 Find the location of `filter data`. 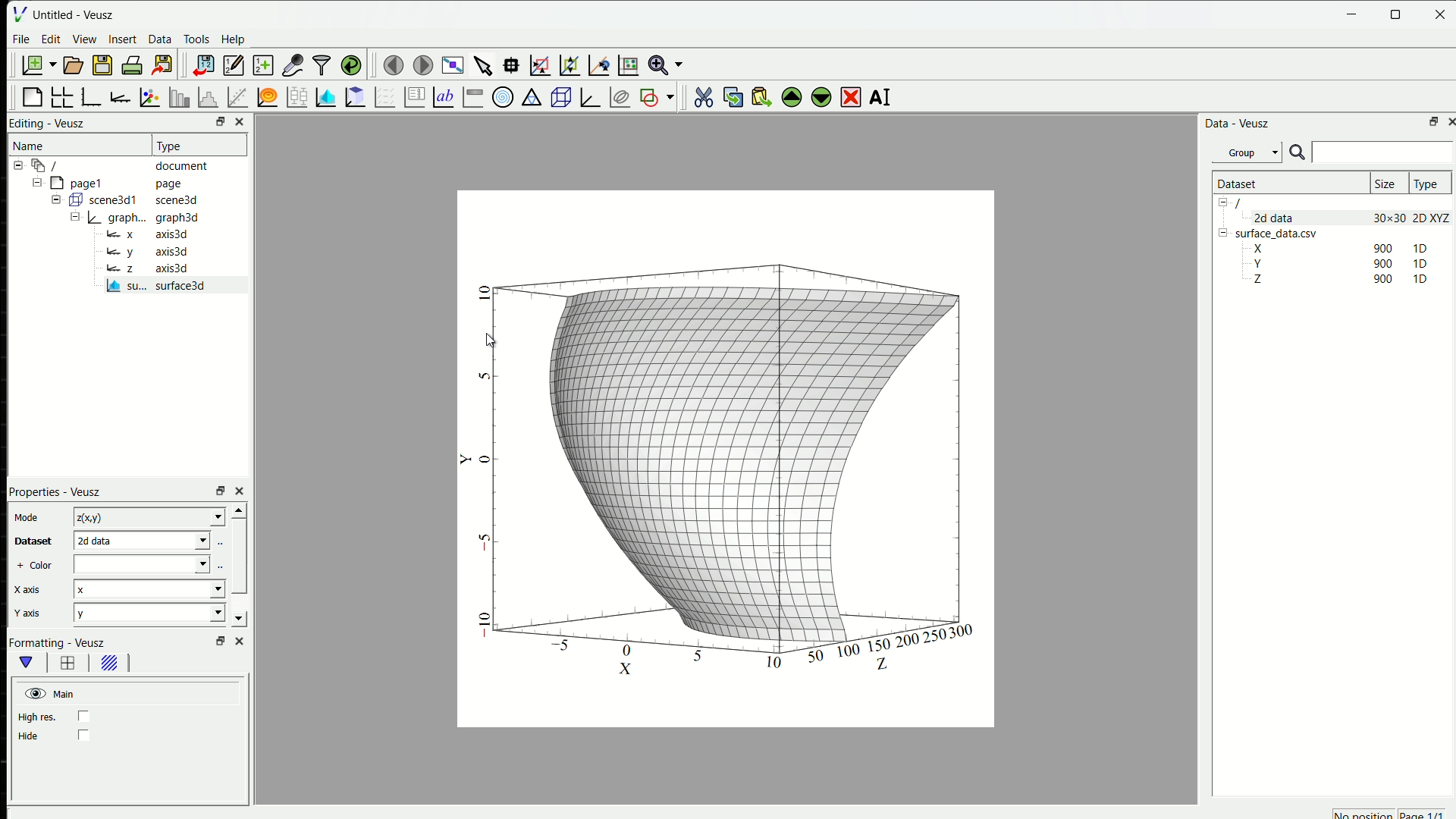

filter data is located at coordinates (322, 65).